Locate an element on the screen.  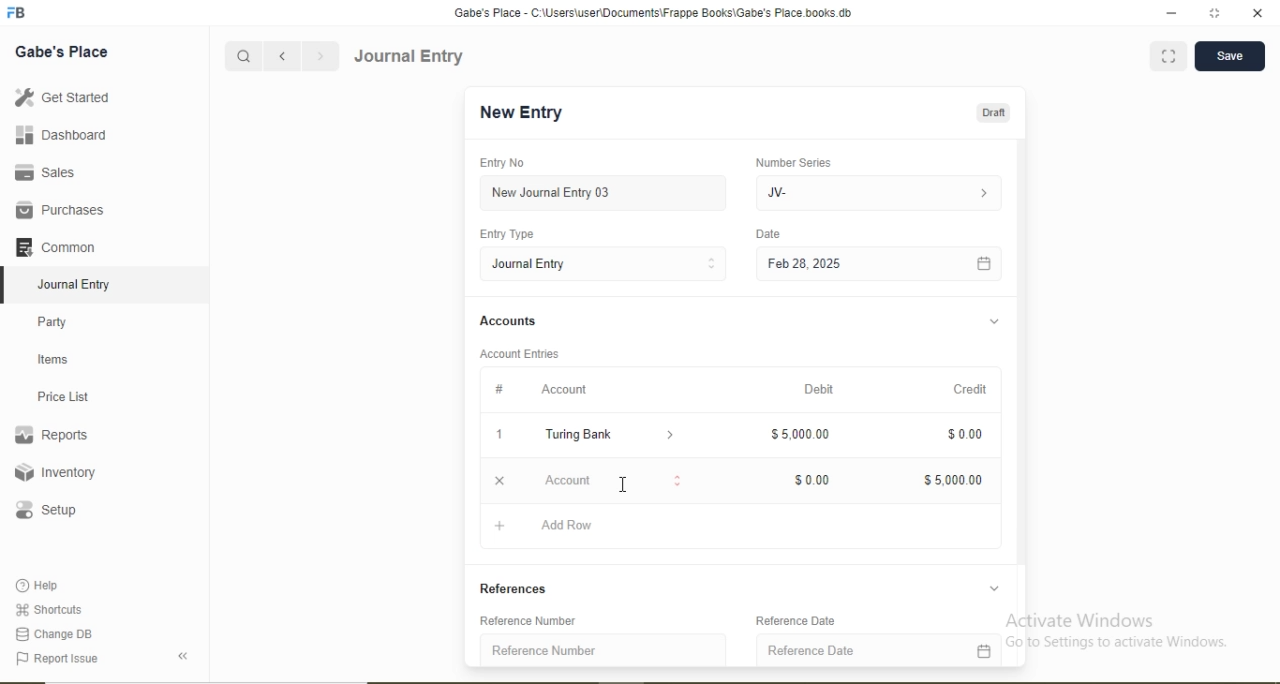
Accounts is located at coordinates (508, 320).